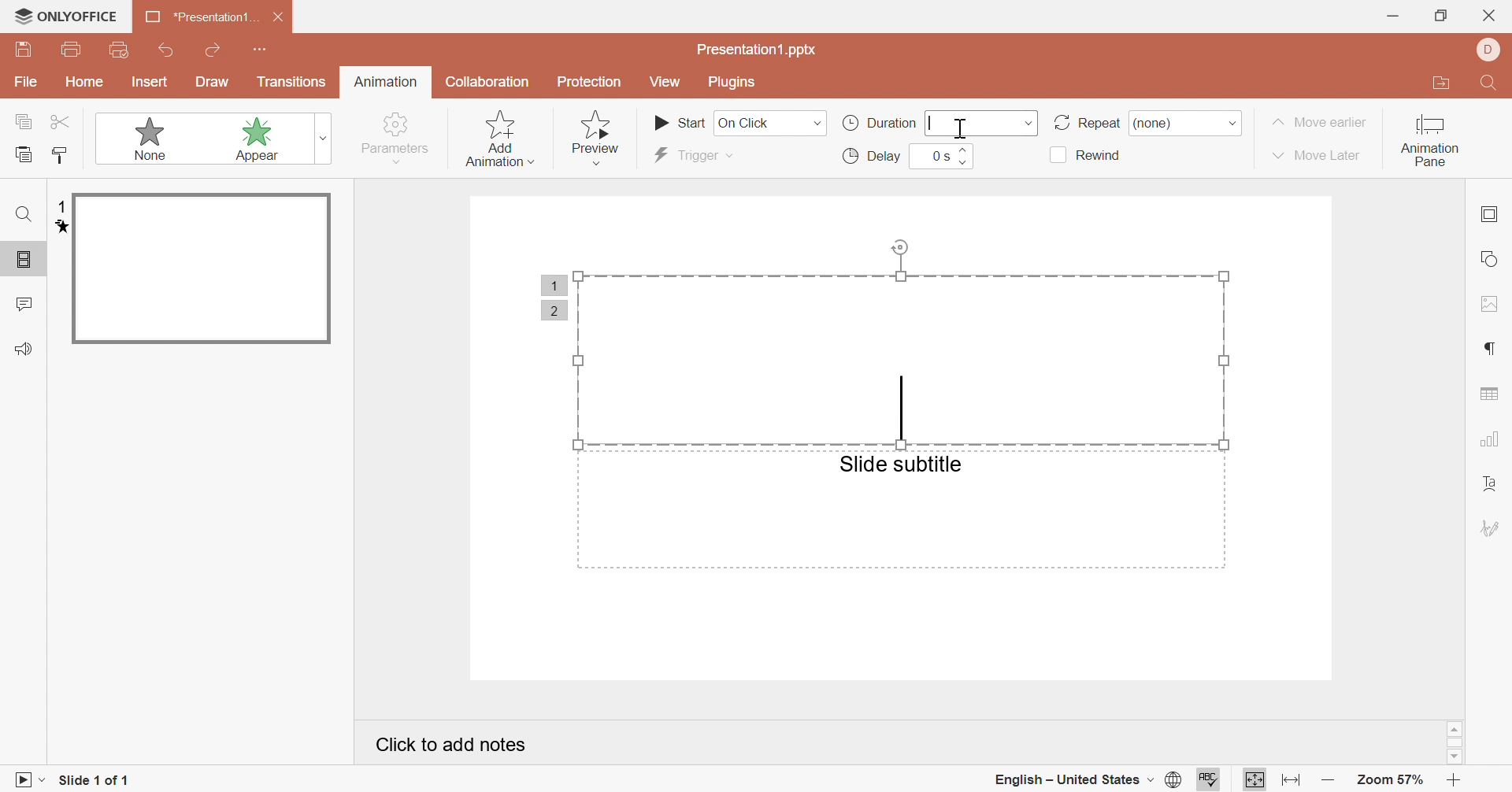 The image size is (1512, 792). Describe the element at coordinates (688, 155) in the screenshot. I see `trigger` at that location.